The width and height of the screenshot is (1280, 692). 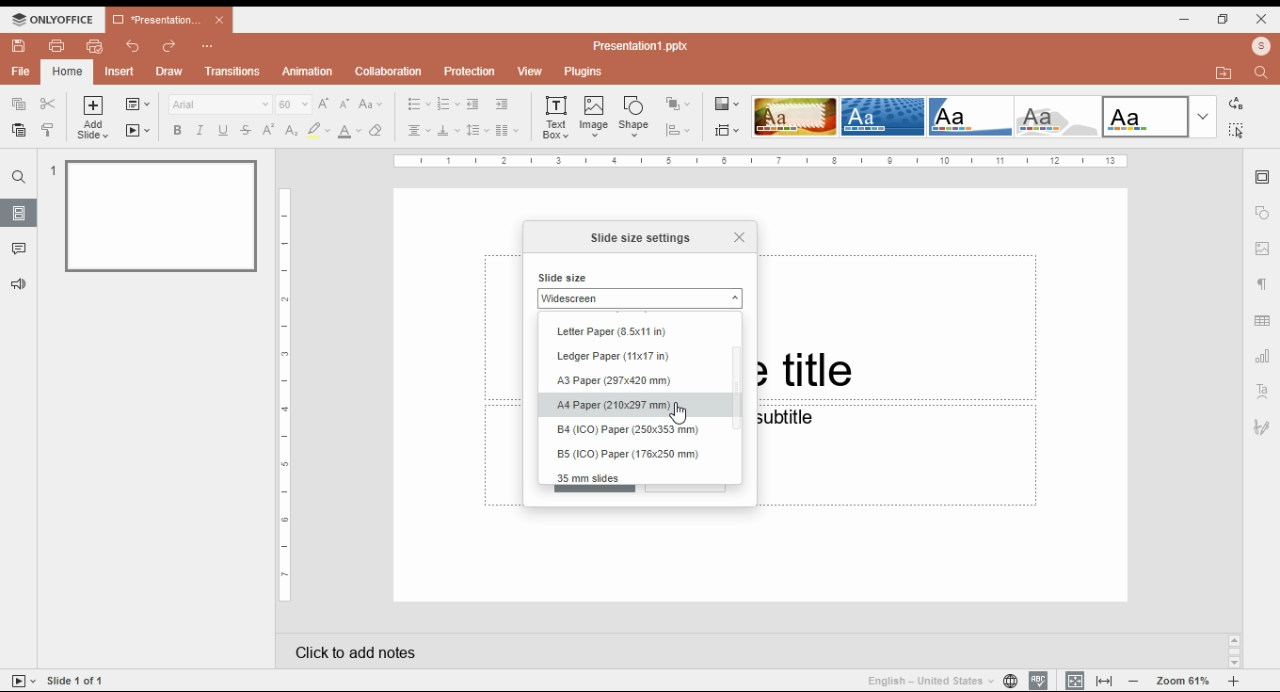 I want to click on slide them option, so click(x=795, y=116).